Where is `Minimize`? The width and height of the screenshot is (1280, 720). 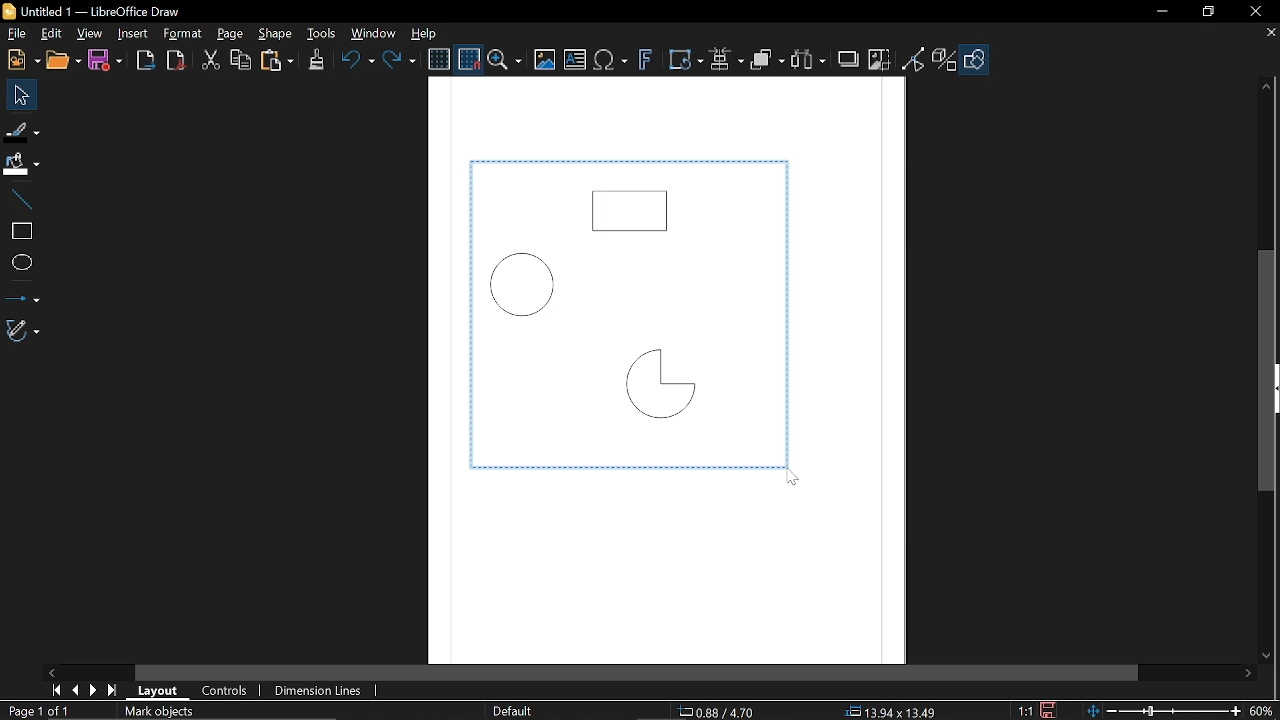
Minimize is located at coordinates (1161, 11).